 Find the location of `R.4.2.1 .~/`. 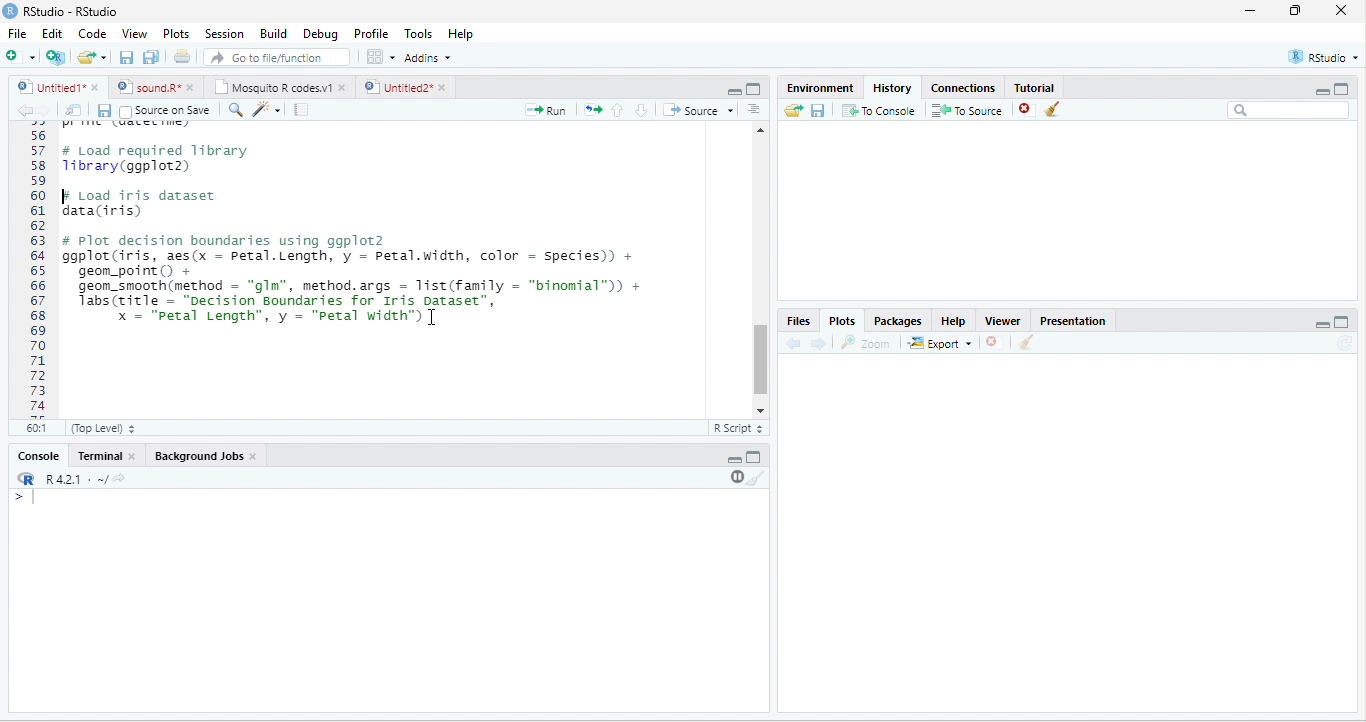

R.4.2.1 .~/ is located at coordinates (71, 480).